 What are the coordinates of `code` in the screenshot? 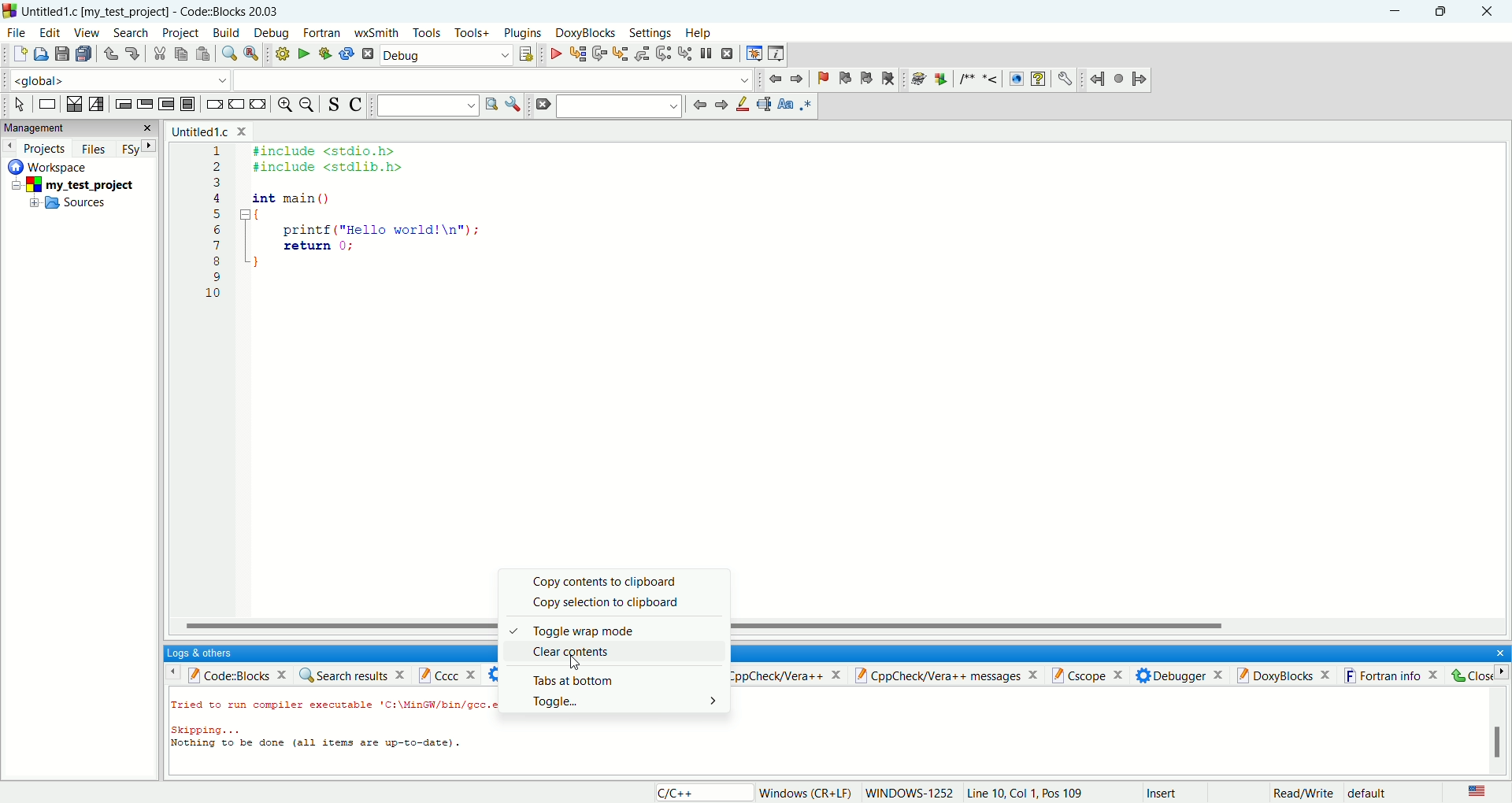 It's located at (370, 217).